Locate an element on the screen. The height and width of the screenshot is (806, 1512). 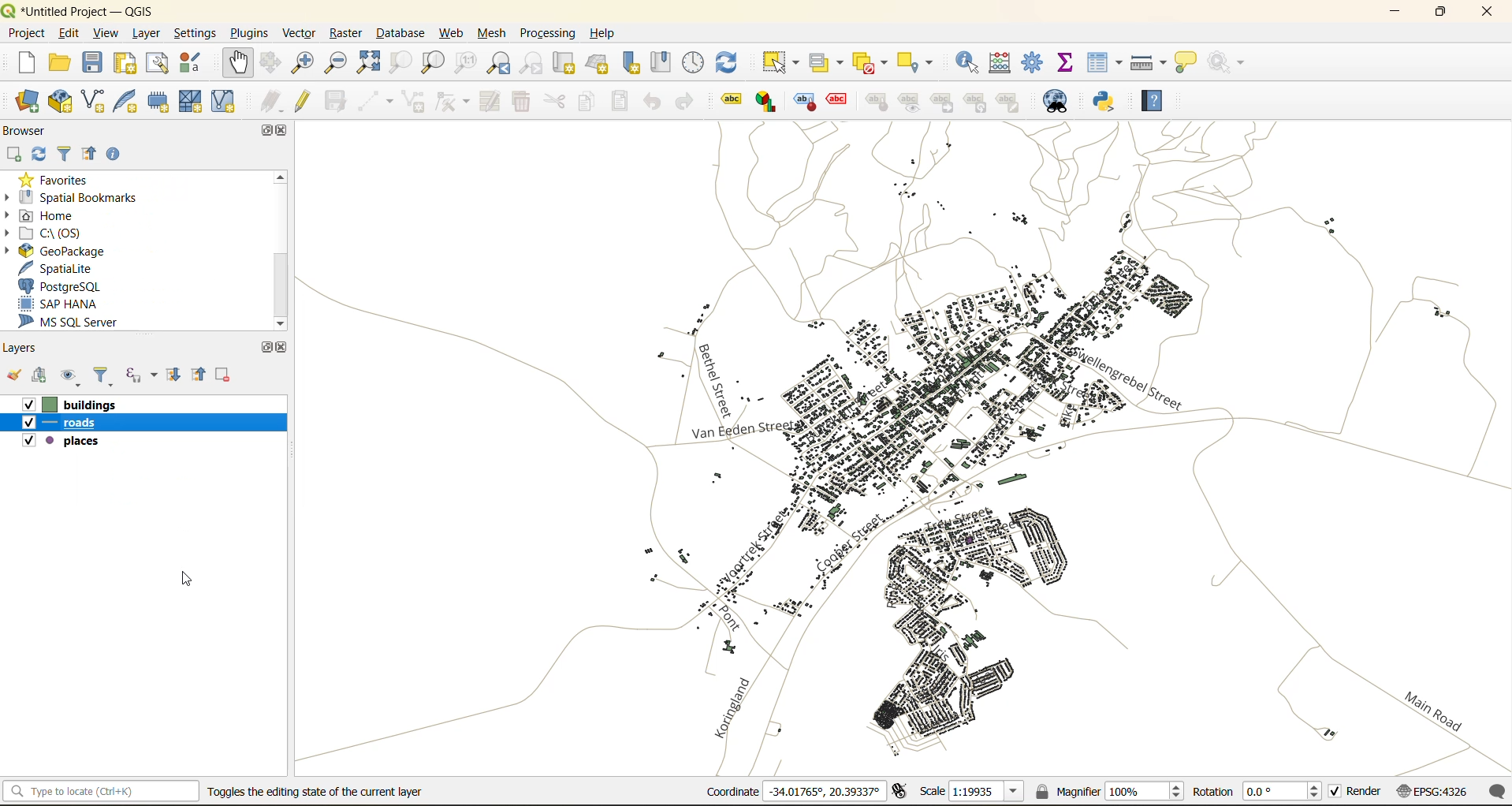
spatial bookmarks is located at coordinates (81, 198).